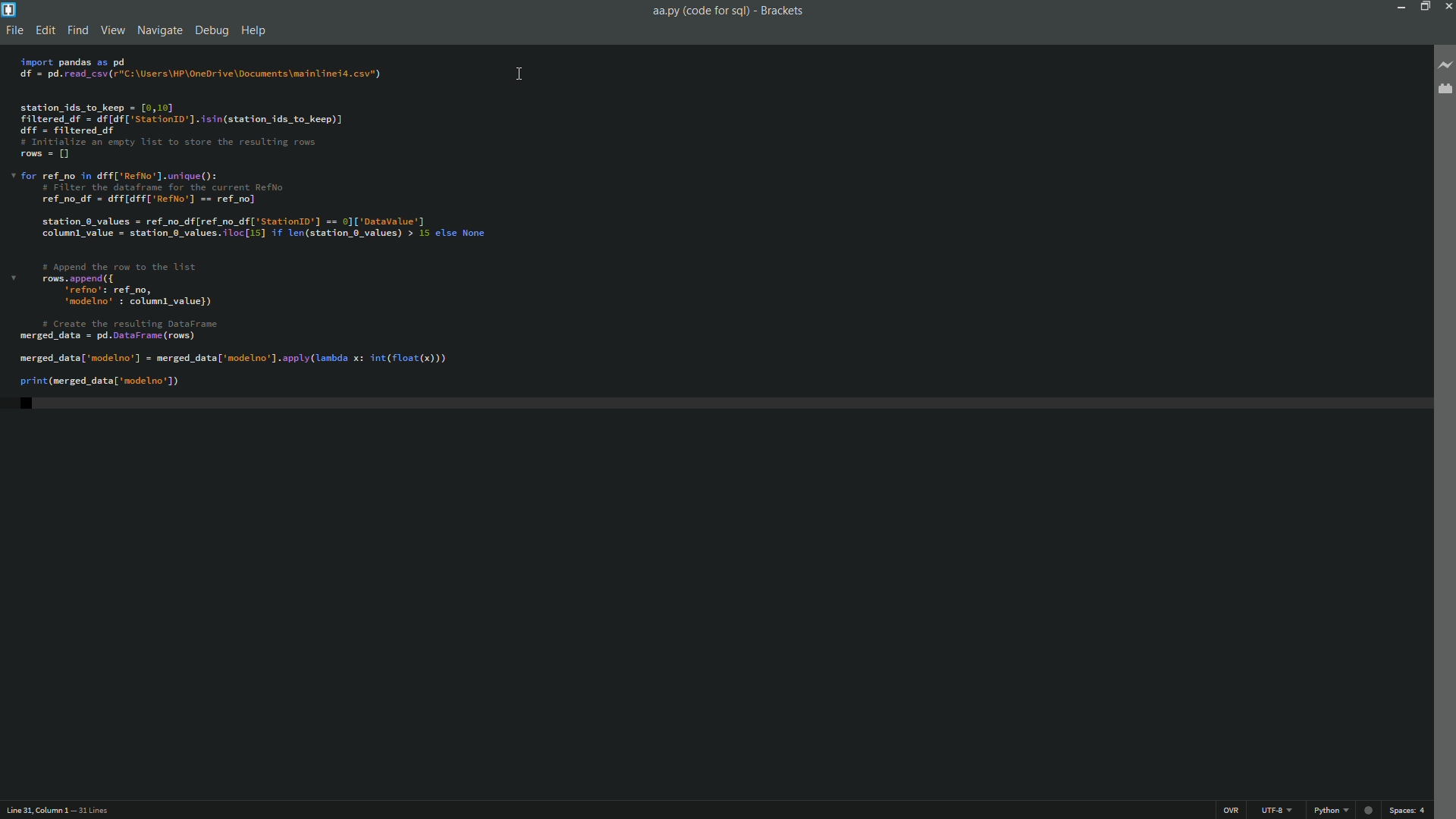  I want to click on cursor position, so click(37, 810).